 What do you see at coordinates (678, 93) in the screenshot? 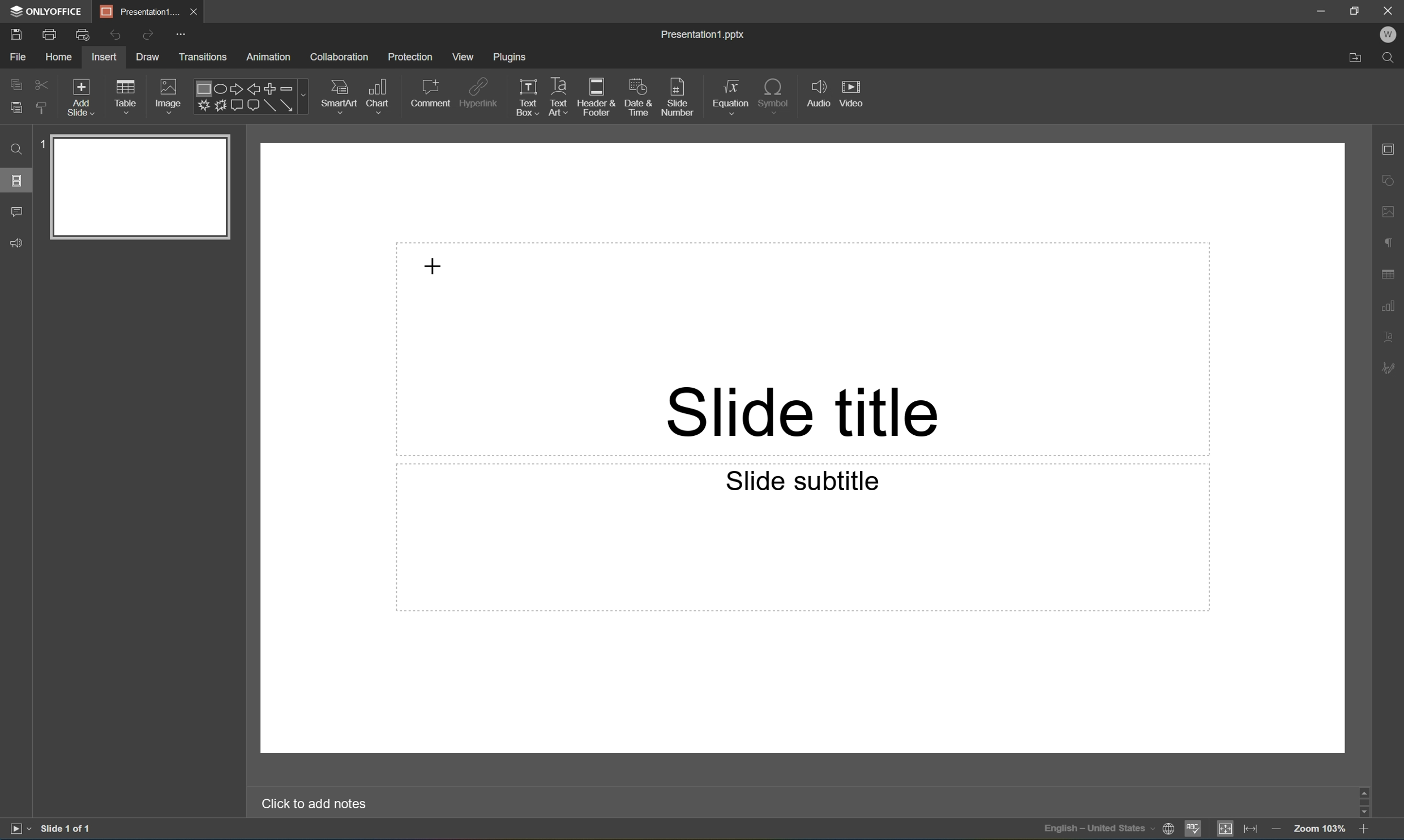
I see `Slide number` at bounding box center [678, 93].